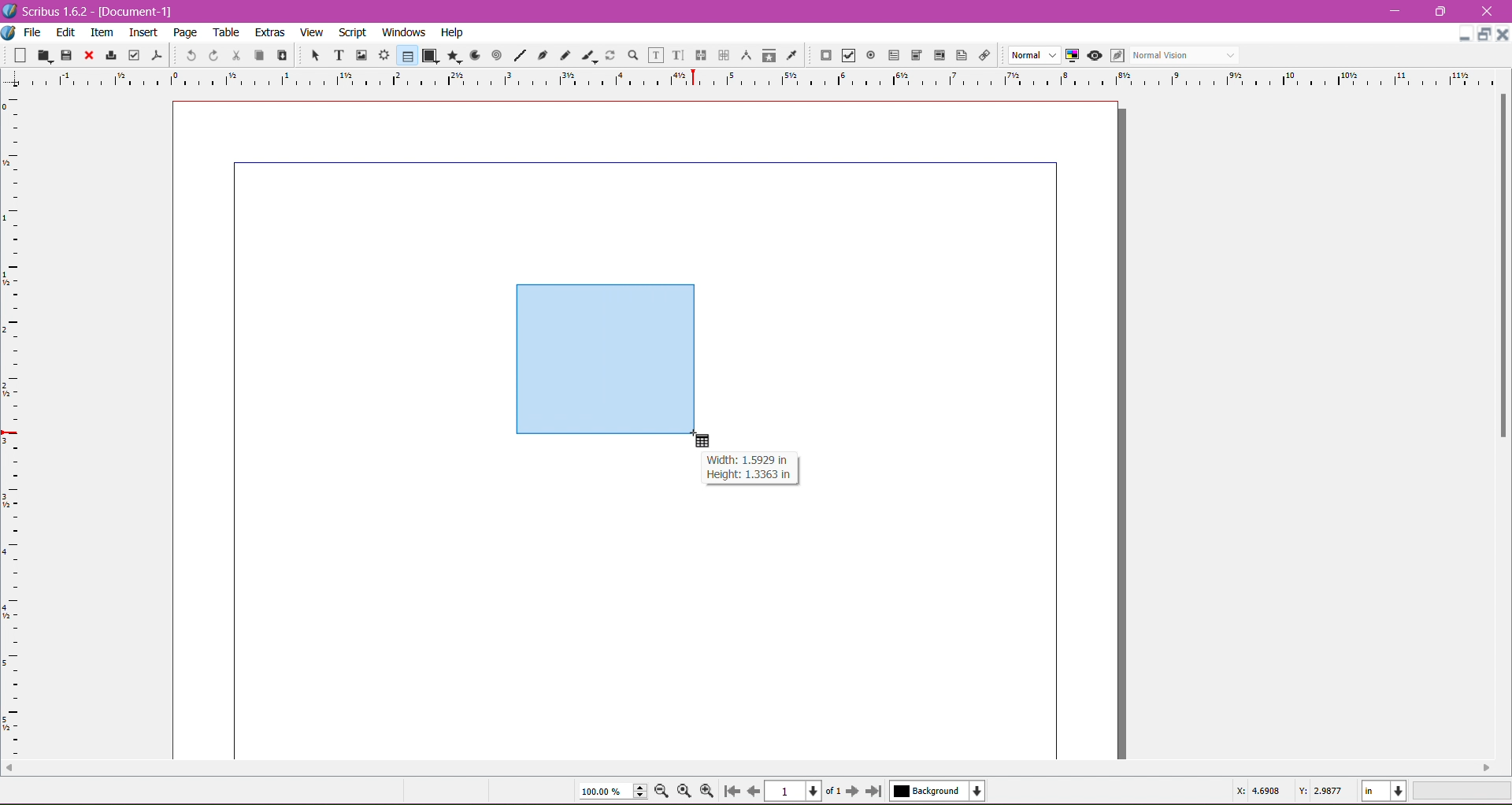 The image size is (1512, 805). Describe the element at coordinates (609, 54) in the screenshot. I see `Rotate Them` at that location.